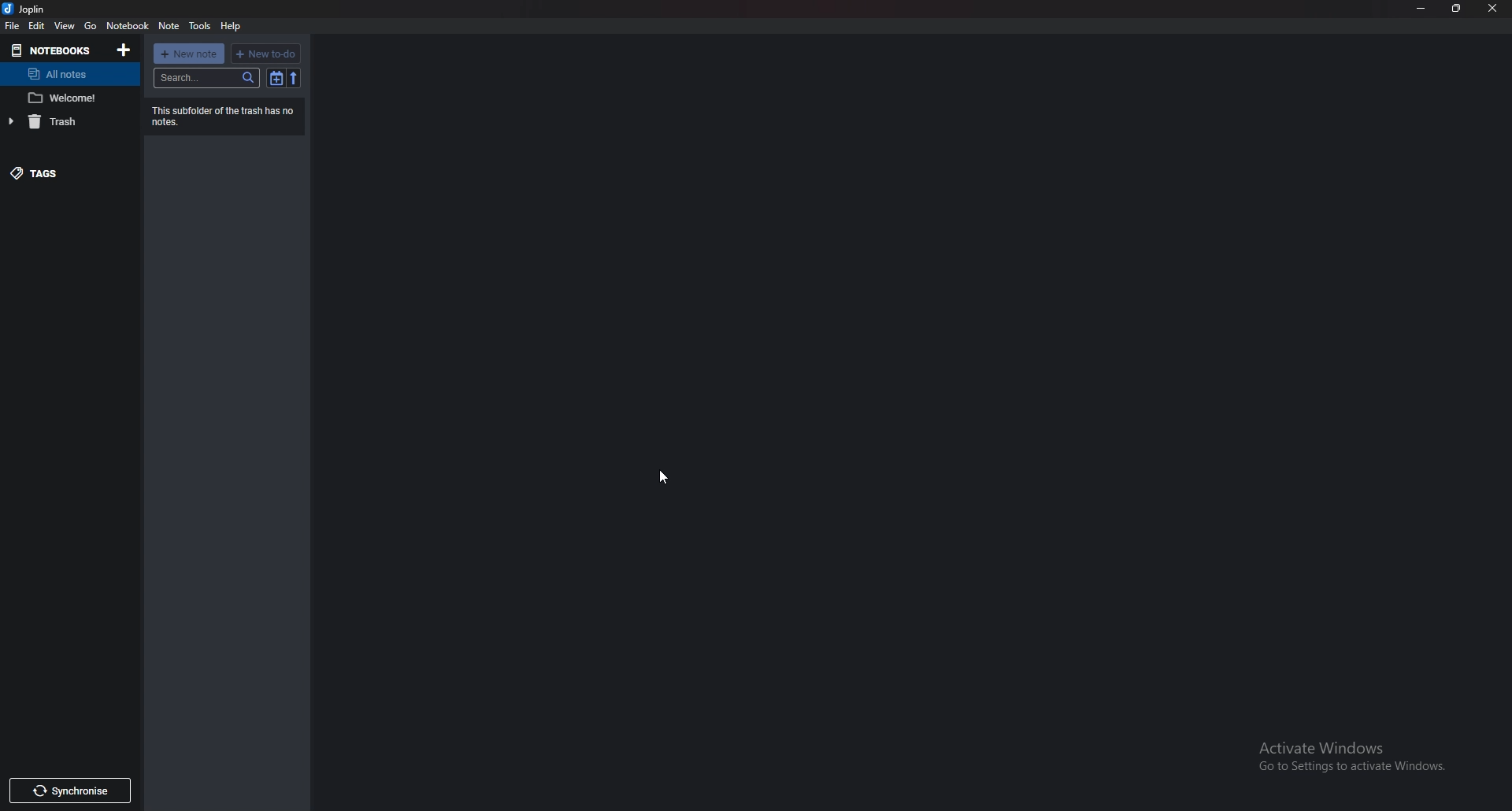 The height and width of the screenshot is (811, 1512). I want to click on reverse sort order, so click(295, 79).